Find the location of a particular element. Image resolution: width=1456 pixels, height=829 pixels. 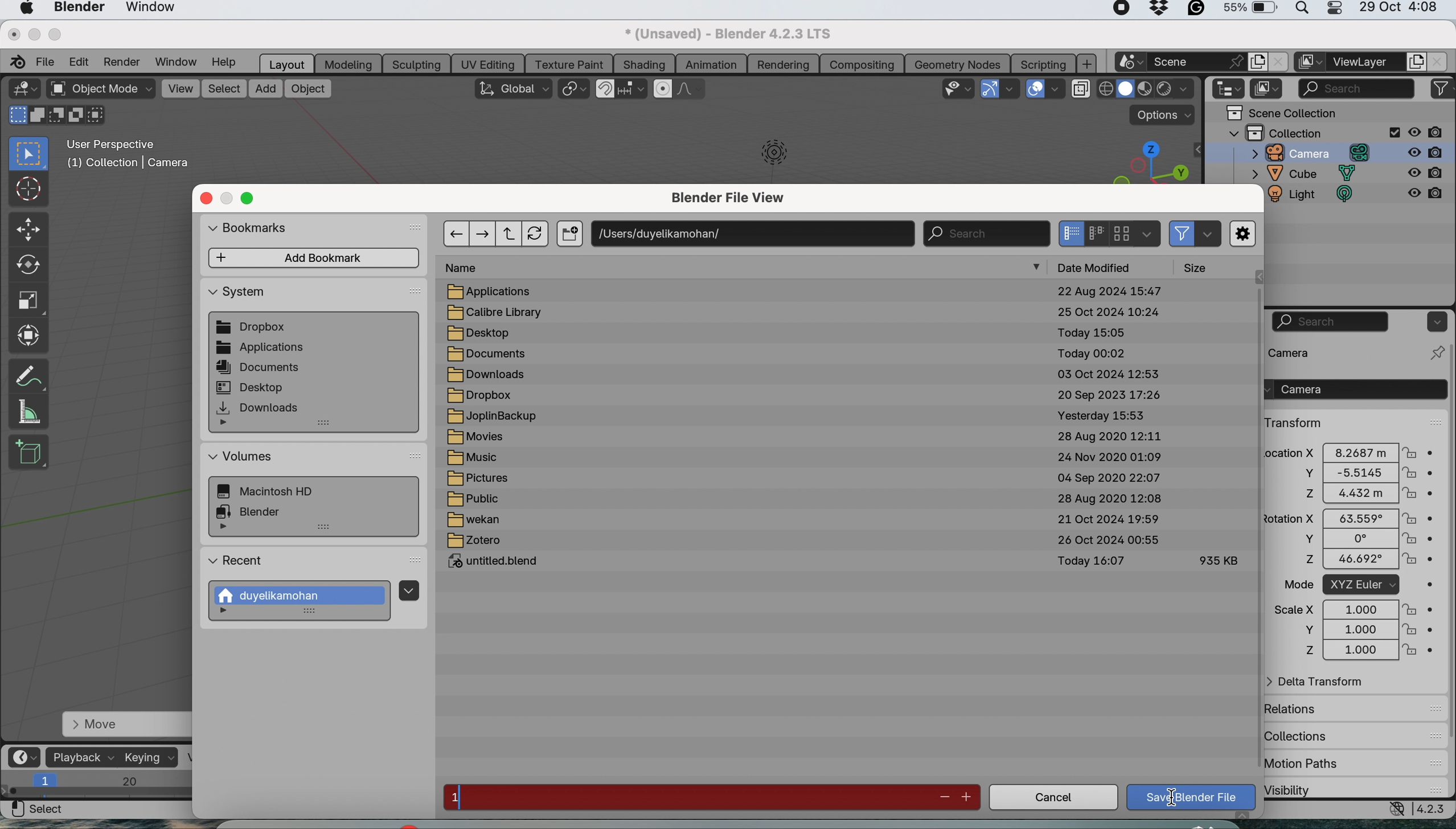

display mode is located at coordinates (1268, 89).